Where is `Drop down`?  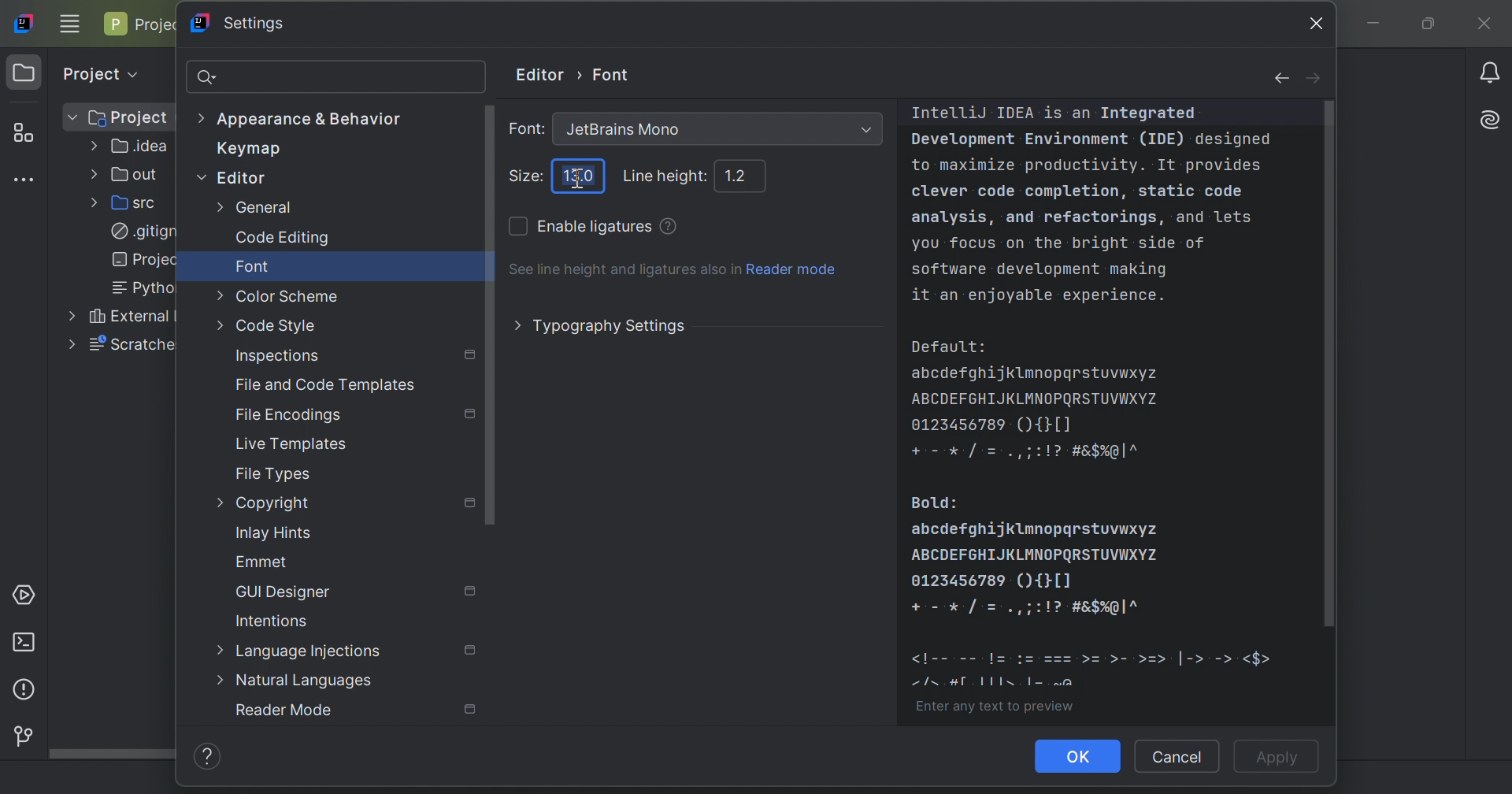 Drop down is located at coordinates (865, 129).